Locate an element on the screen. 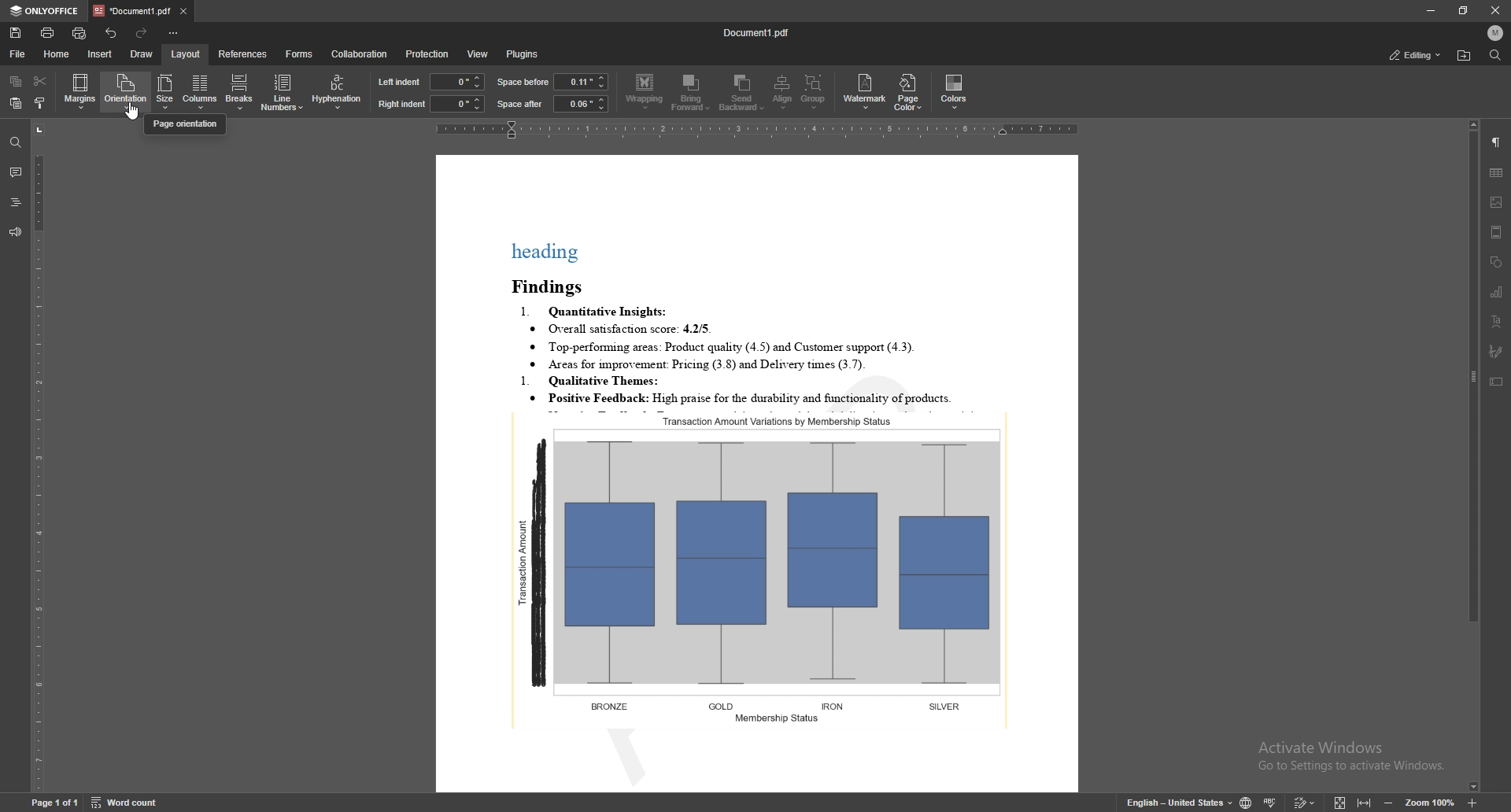 The width and height of the screenshot is (1511, 812). copy style is located at coordinates (39, 103).